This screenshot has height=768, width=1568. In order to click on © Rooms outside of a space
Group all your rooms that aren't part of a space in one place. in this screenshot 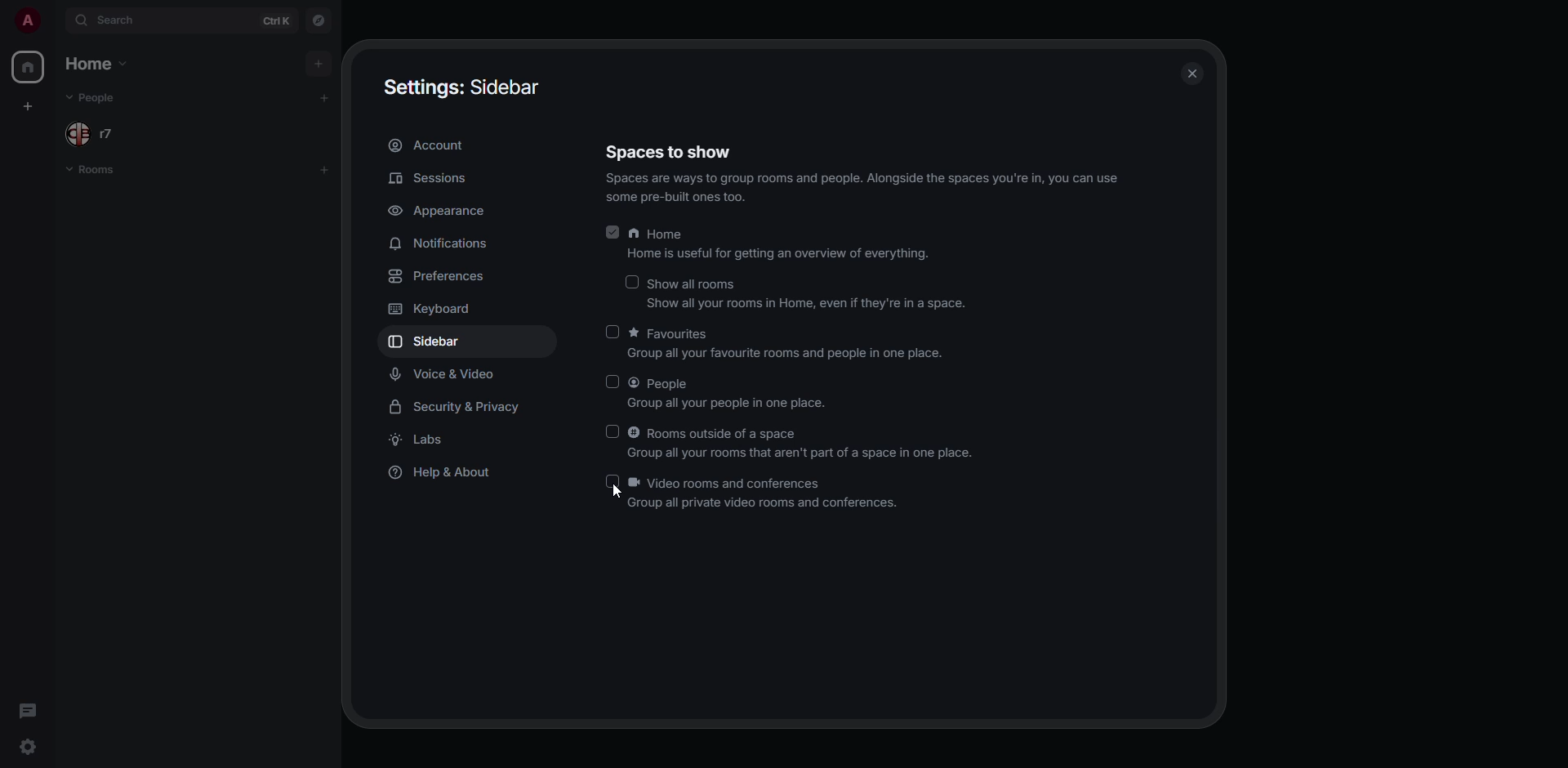, I will do `click(802, 441)`.